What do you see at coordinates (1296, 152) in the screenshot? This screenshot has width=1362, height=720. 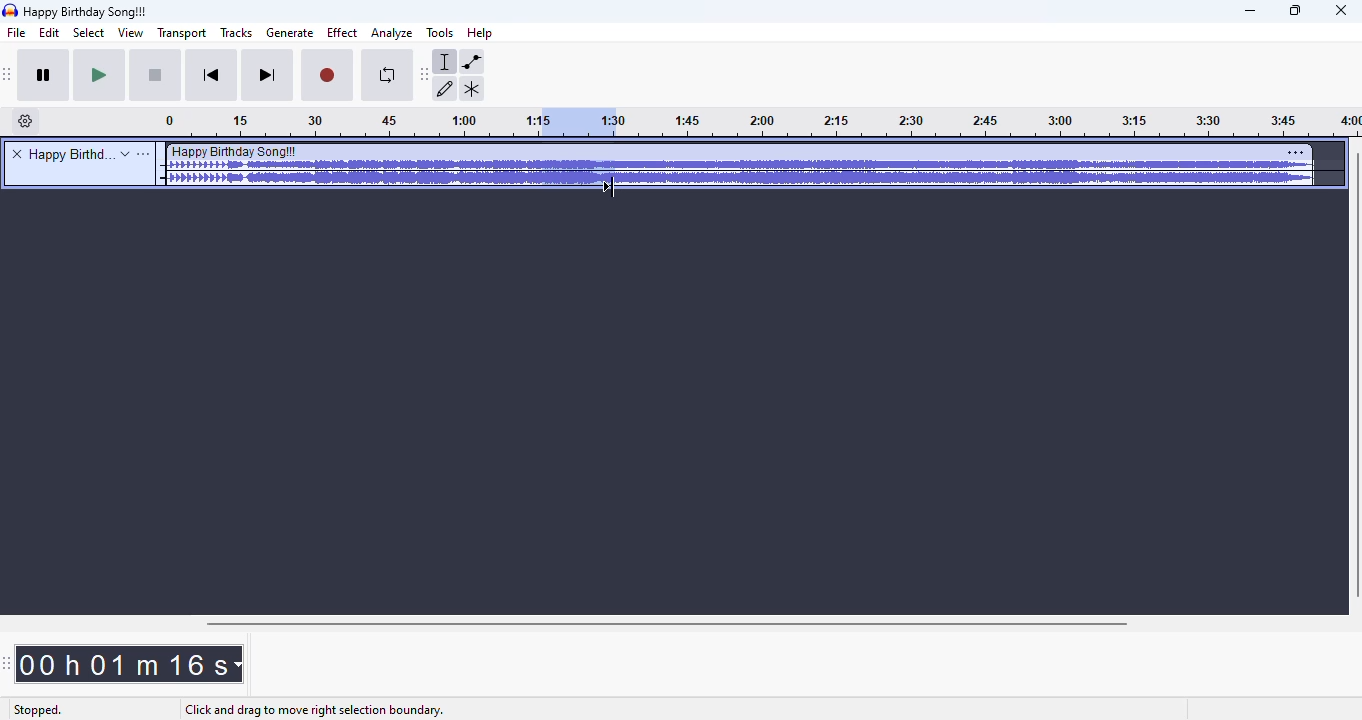 I see `settings` at bounding box center [1296, 152].